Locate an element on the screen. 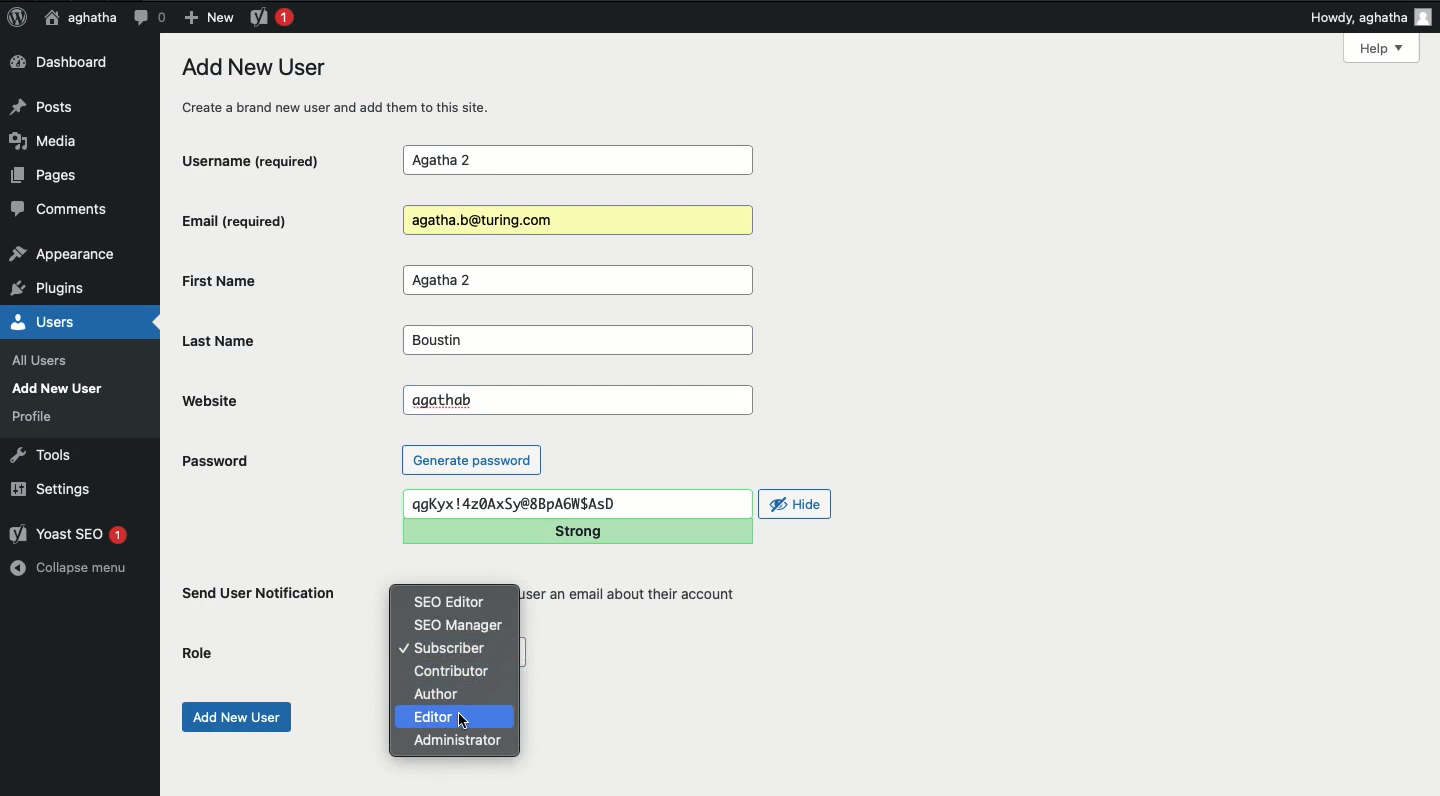 The width and height of the screenshot is (1440, 796). user an email about their account is located at coordinates (632, 595).